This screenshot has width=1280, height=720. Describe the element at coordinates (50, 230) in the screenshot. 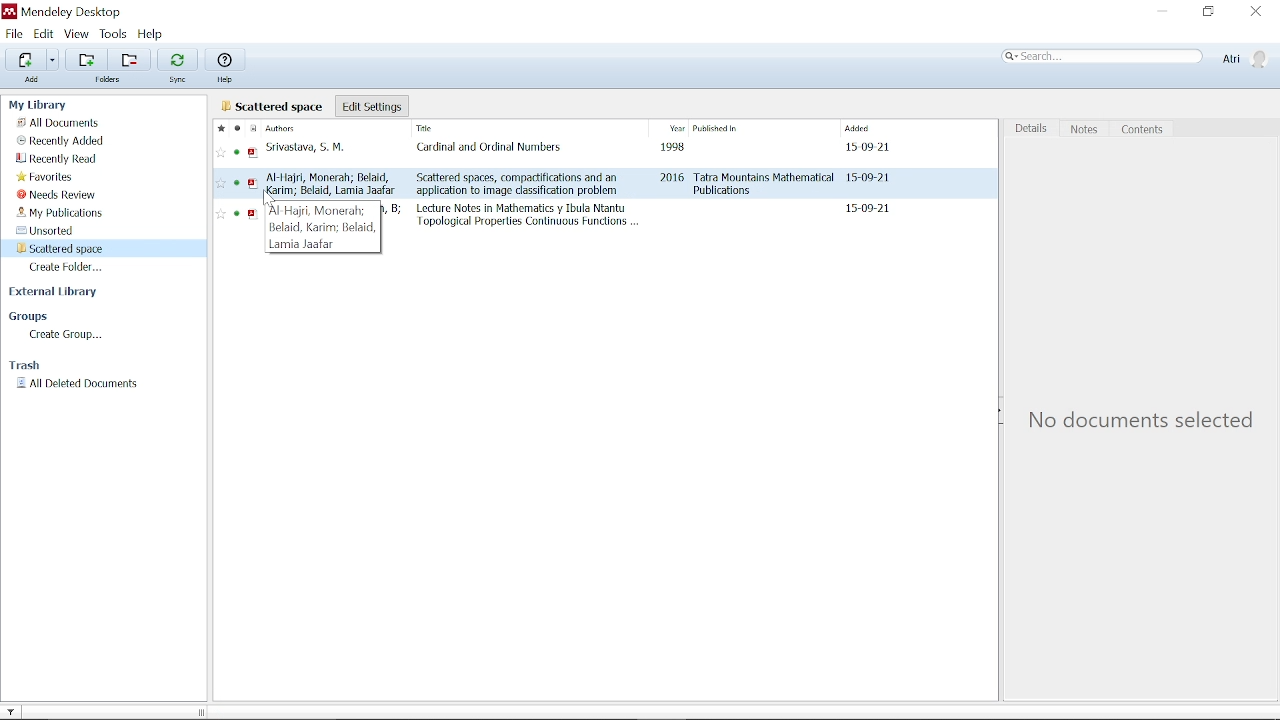

I see `Unsorted` at that location.